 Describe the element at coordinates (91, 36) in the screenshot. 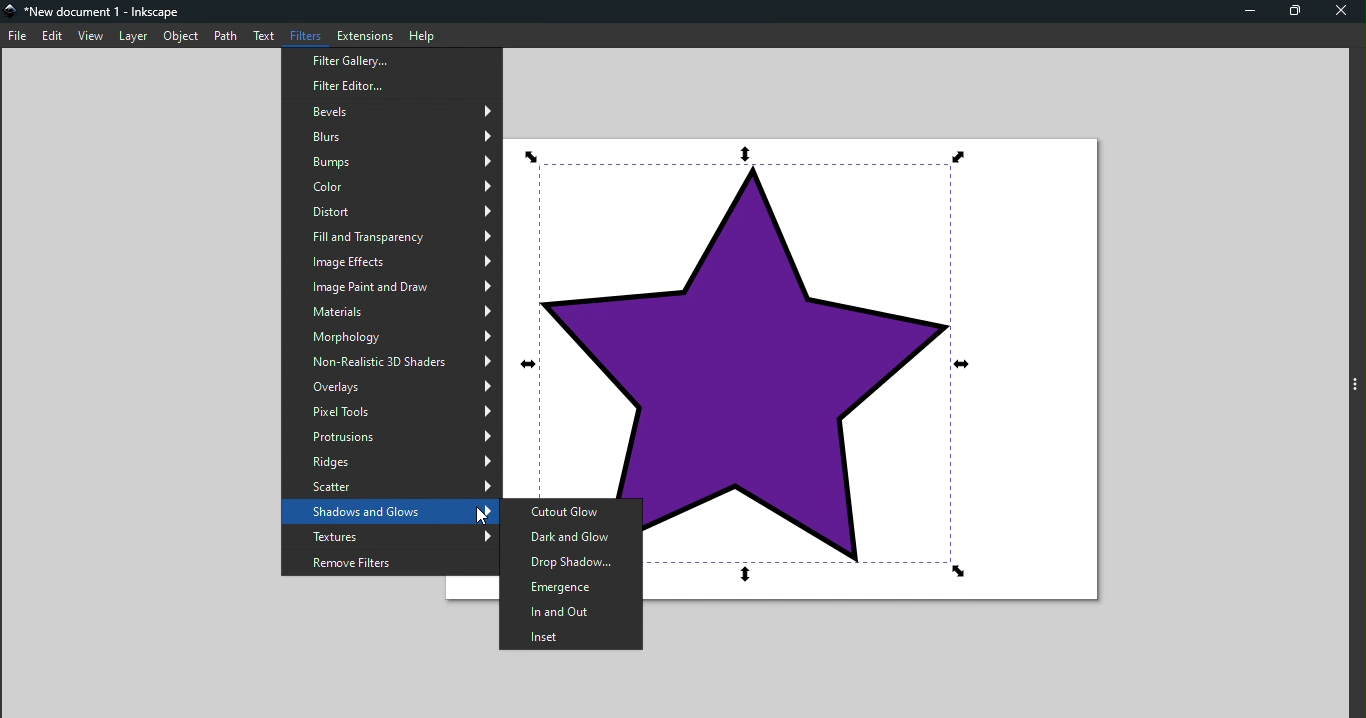

I see `view` at that location.